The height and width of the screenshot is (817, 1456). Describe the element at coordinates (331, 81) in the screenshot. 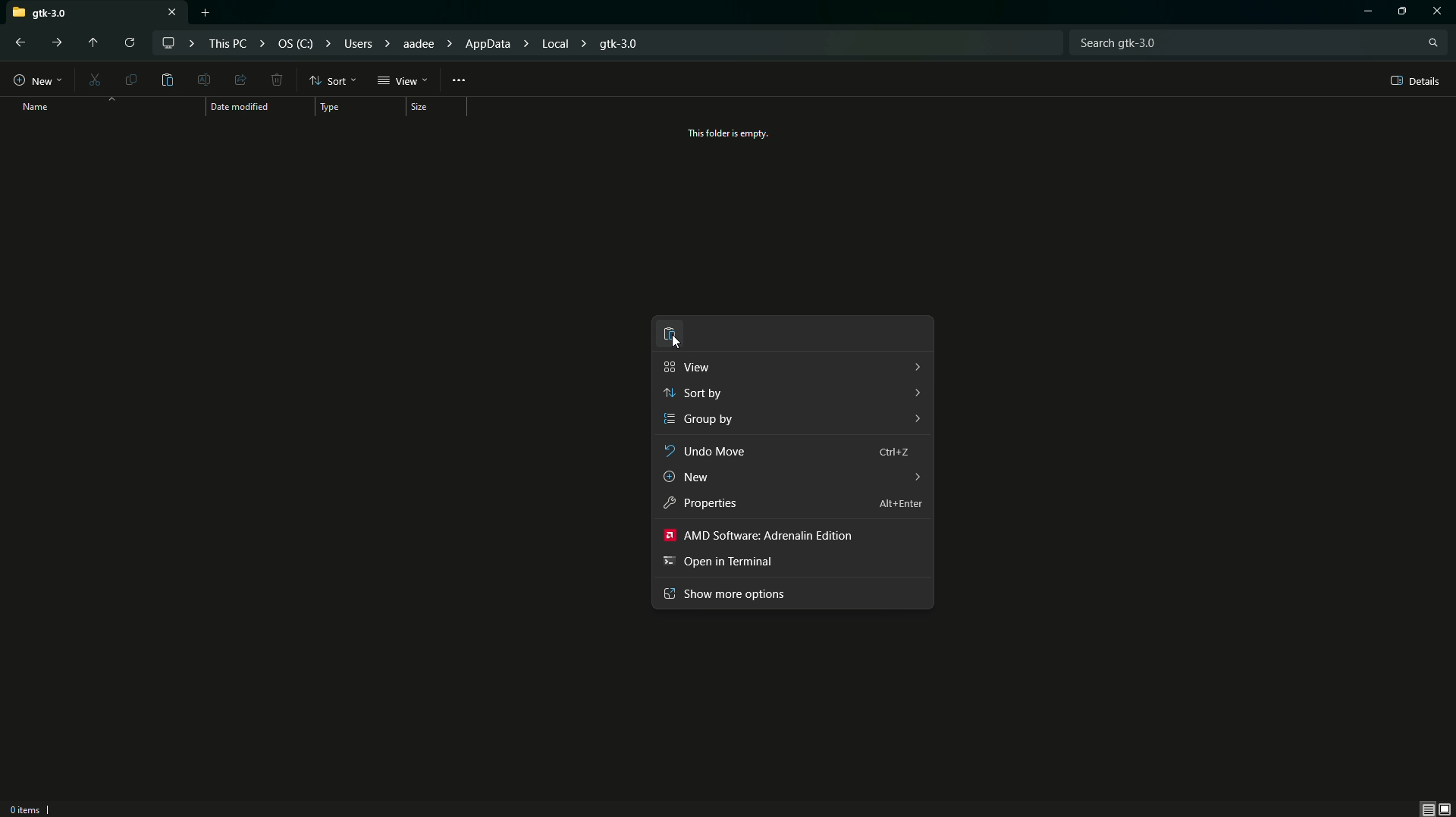

I see `Sort` at that location.